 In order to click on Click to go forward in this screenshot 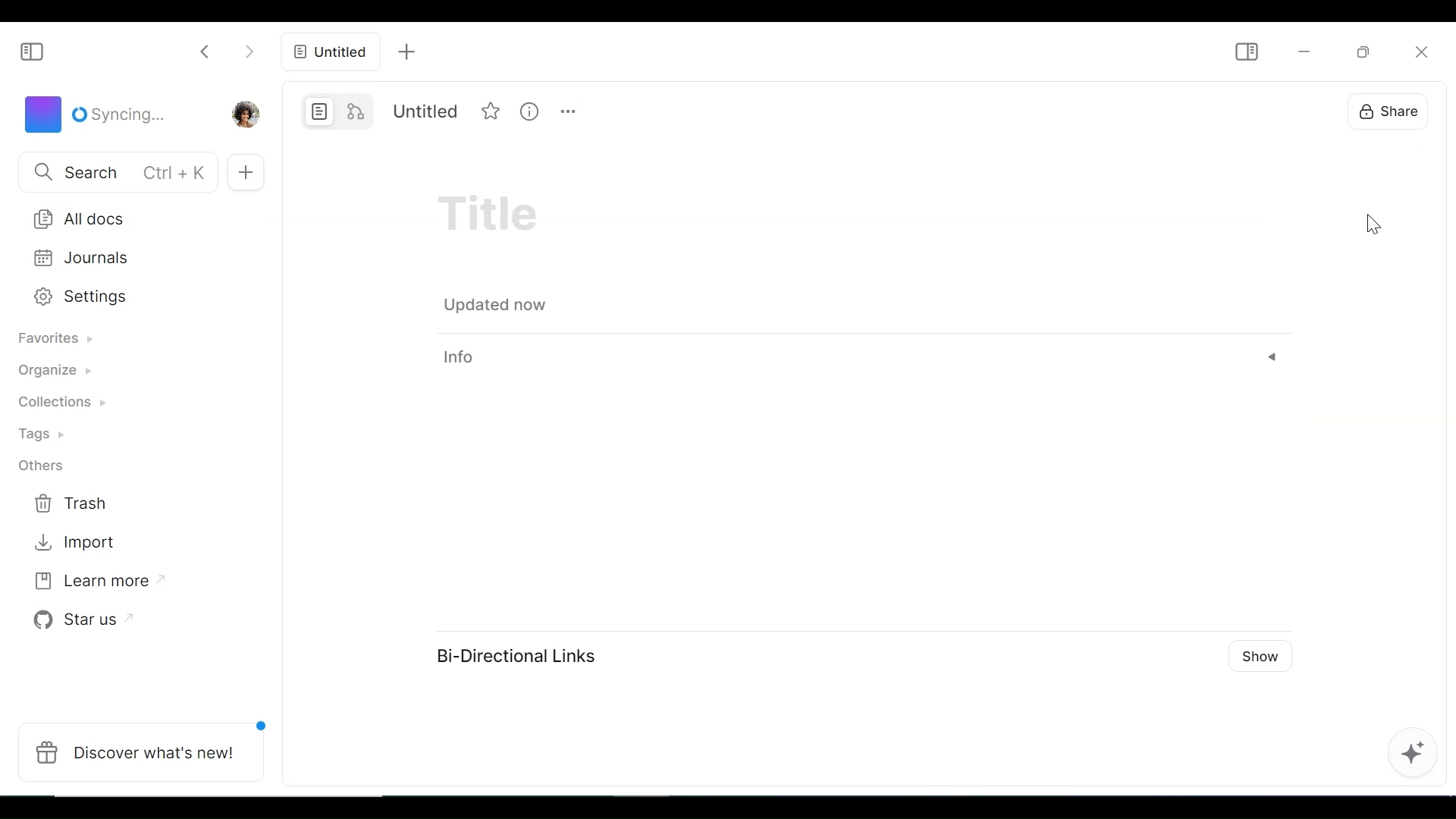, I will do `click(252, 52)`.